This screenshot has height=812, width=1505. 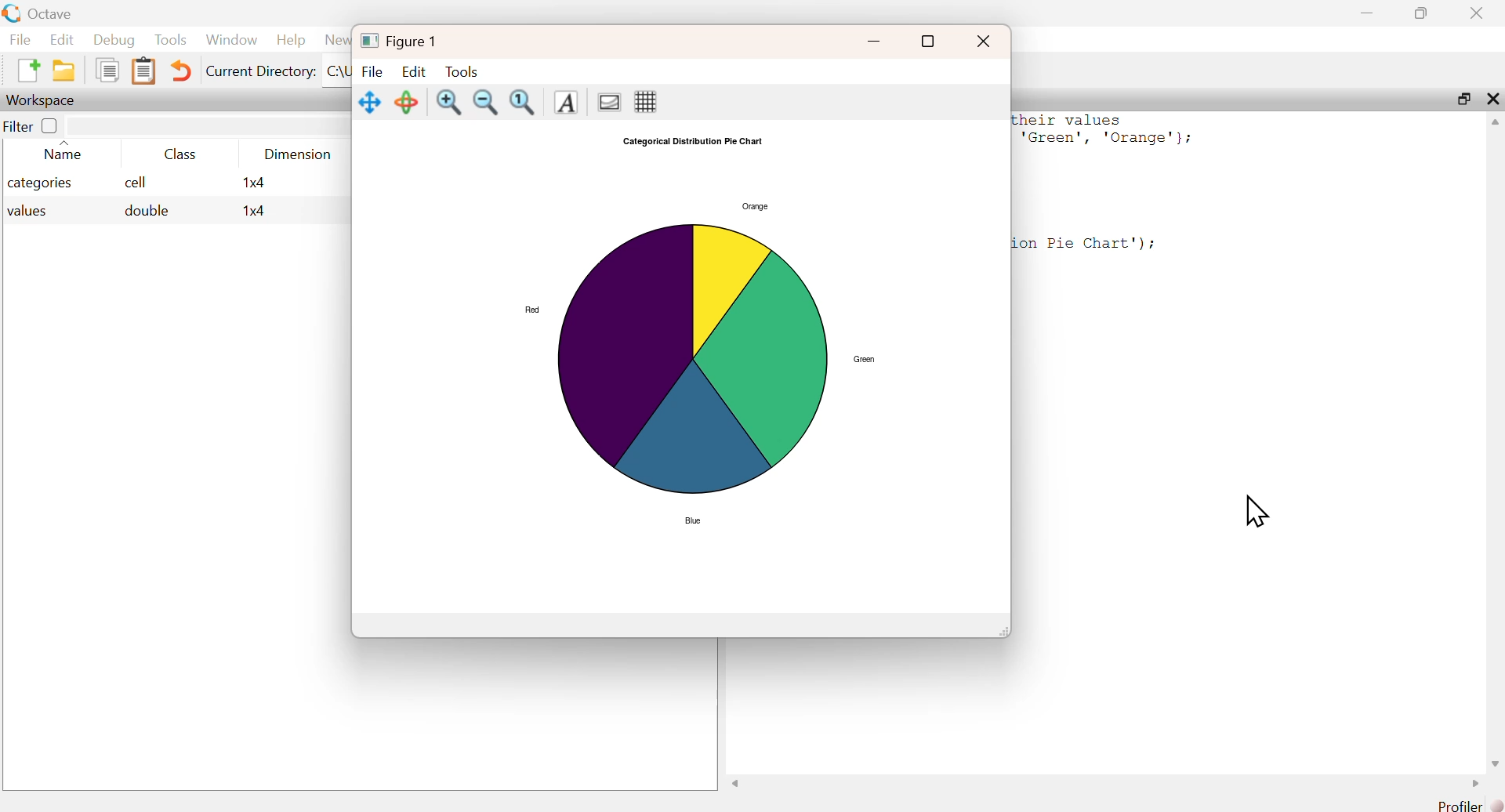 I want to click on Categorical Distribution Pie Chart, so click(x=692, y=142).